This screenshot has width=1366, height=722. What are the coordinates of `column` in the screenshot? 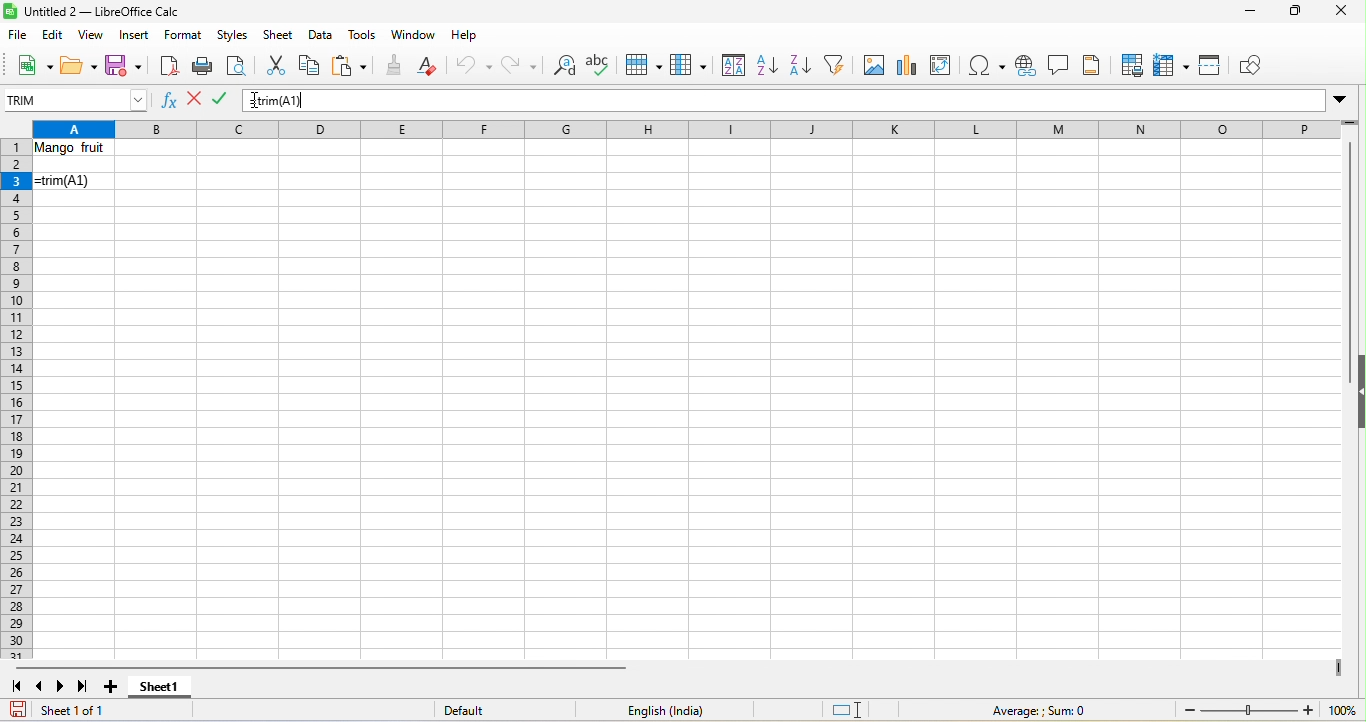 It's located at (689, 67).